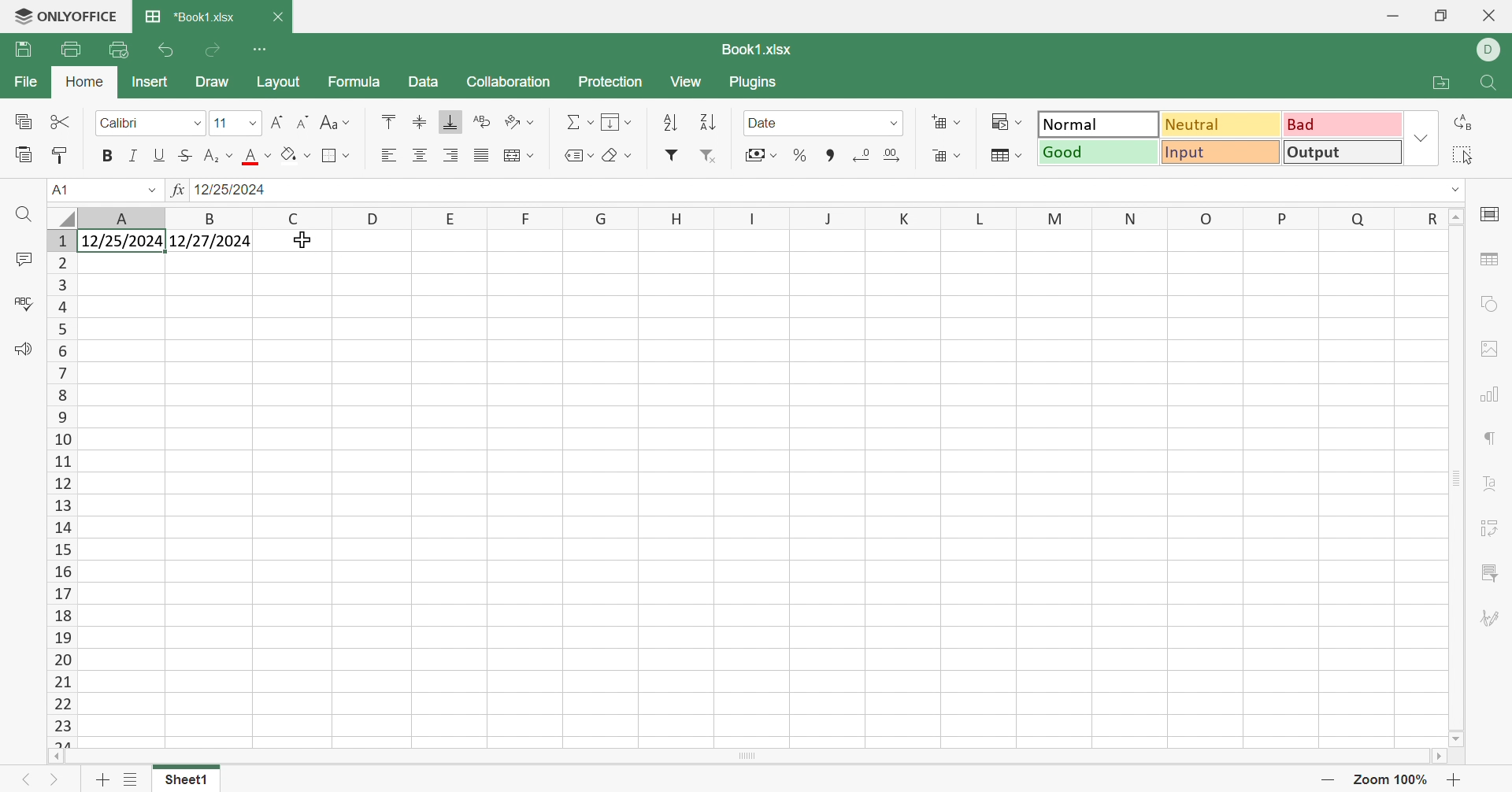 Image resolution: width=1512 pixels, height=792 pixels. Describe the element at coordinates (669, 122) in the screenshot. I see `Ascending order` at that location.